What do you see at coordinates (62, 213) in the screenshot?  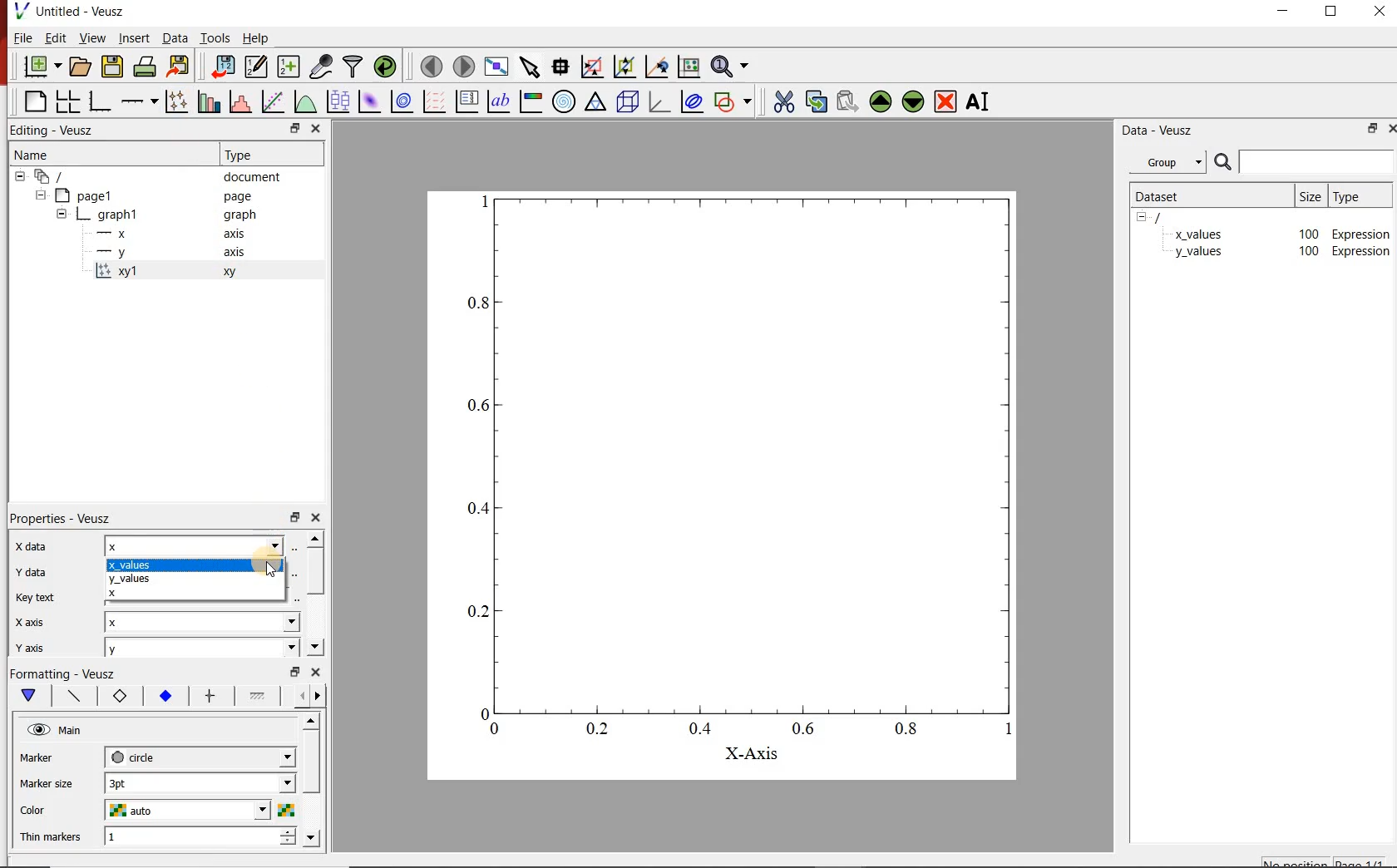 I see `hide` at bounding box center [62, 213].